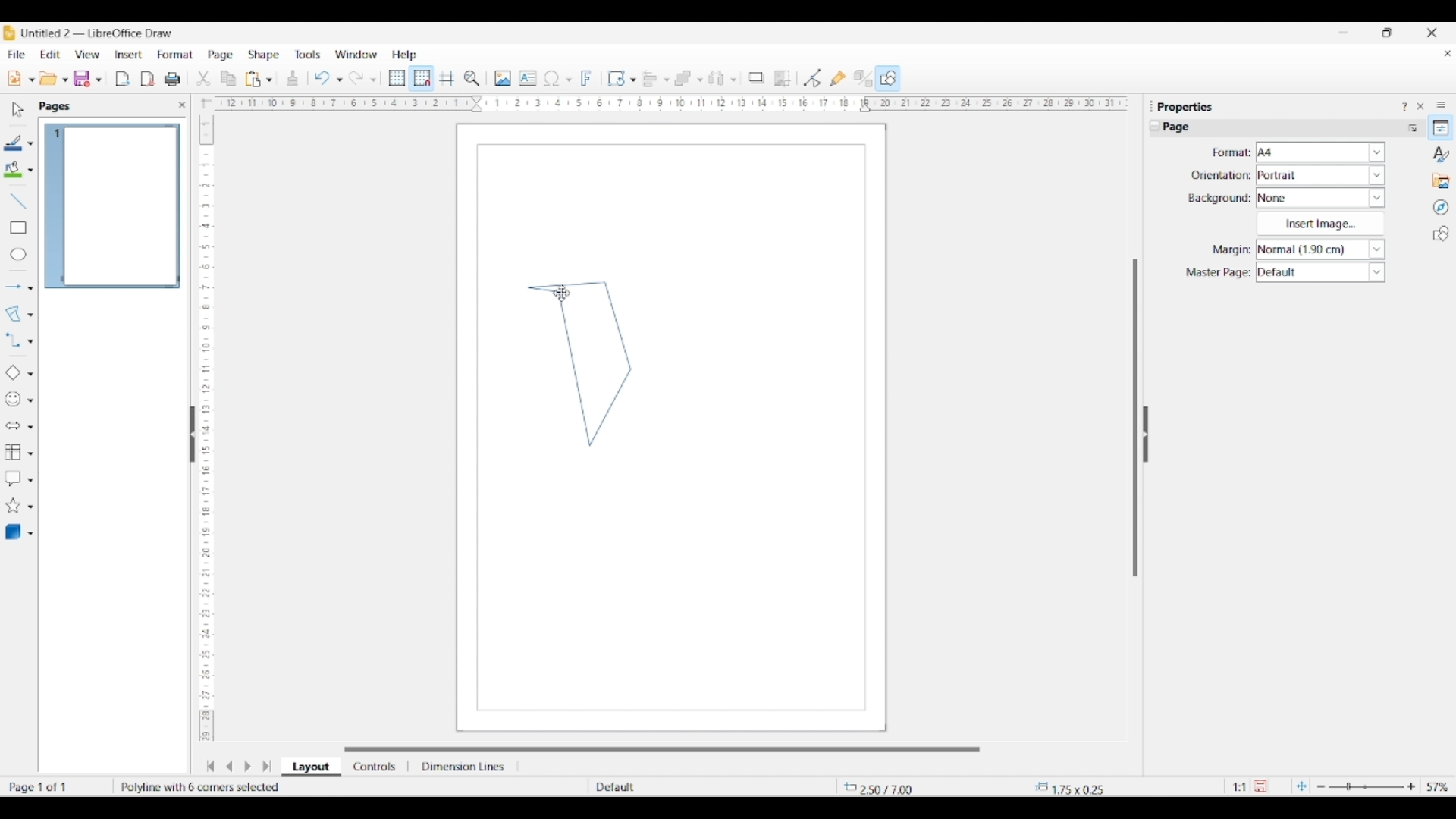  What do you see at coordinates (700, 80) in the screenshot?
I see `Arrange objects options` at bounding box center [700, 80].